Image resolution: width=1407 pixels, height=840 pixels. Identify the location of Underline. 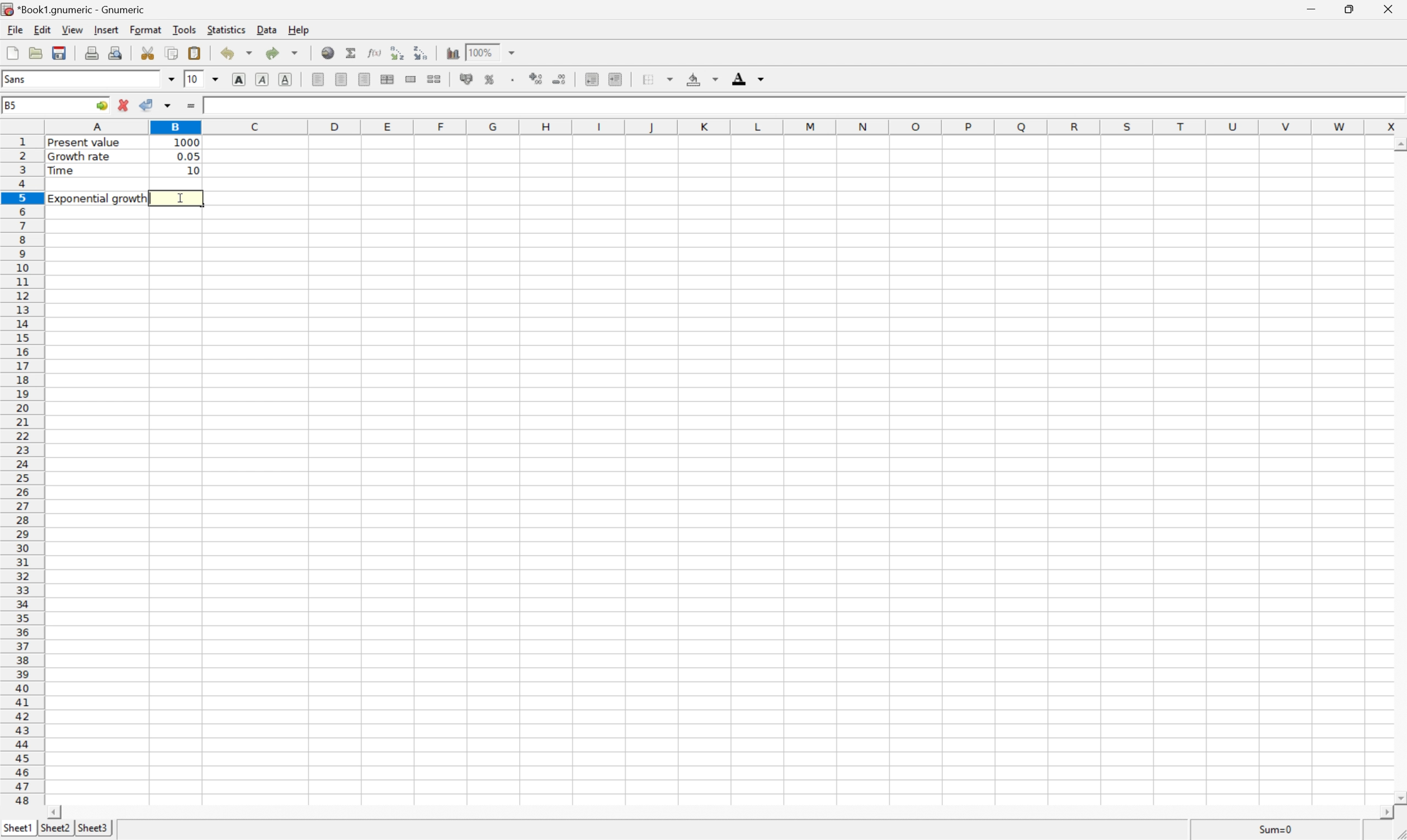
(285, 80).